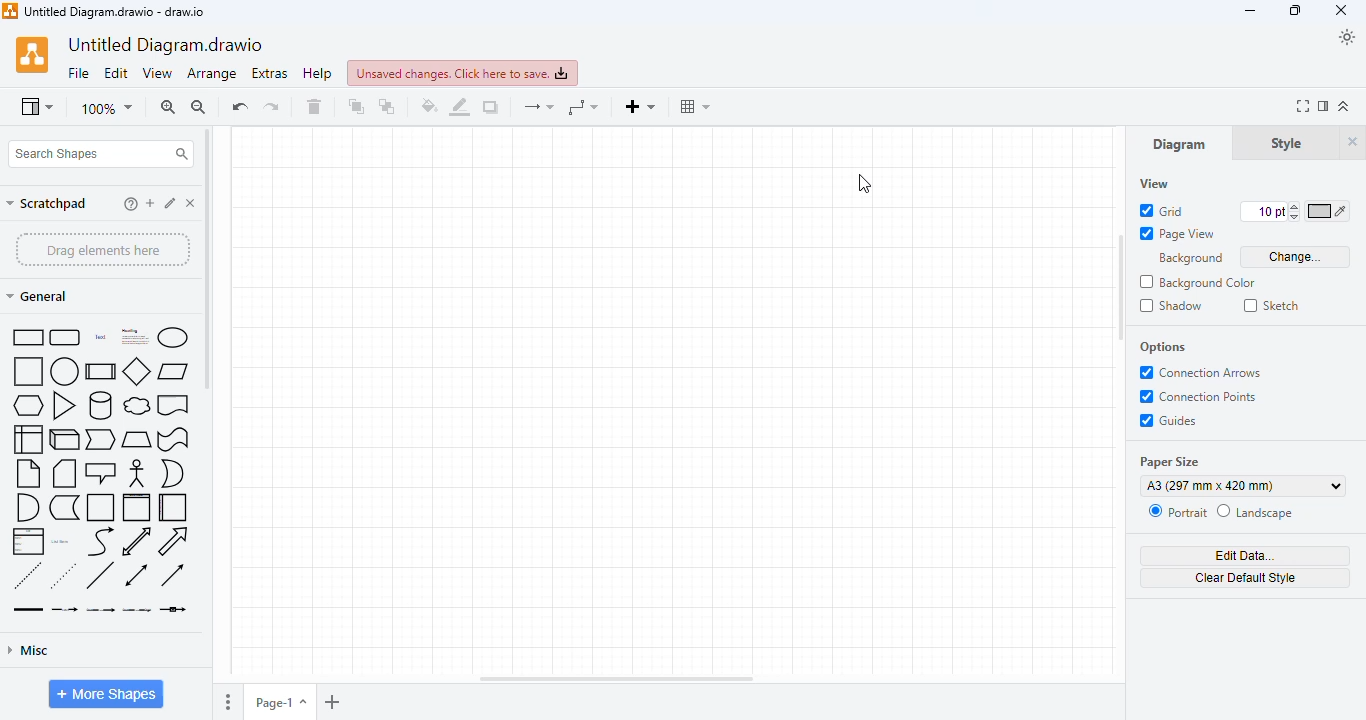 Image resolution: width=1366 pixels, height=720 pixels. Describe the element at coordinates (107, 694) in the screenshot. I see `more shapes` at that location.